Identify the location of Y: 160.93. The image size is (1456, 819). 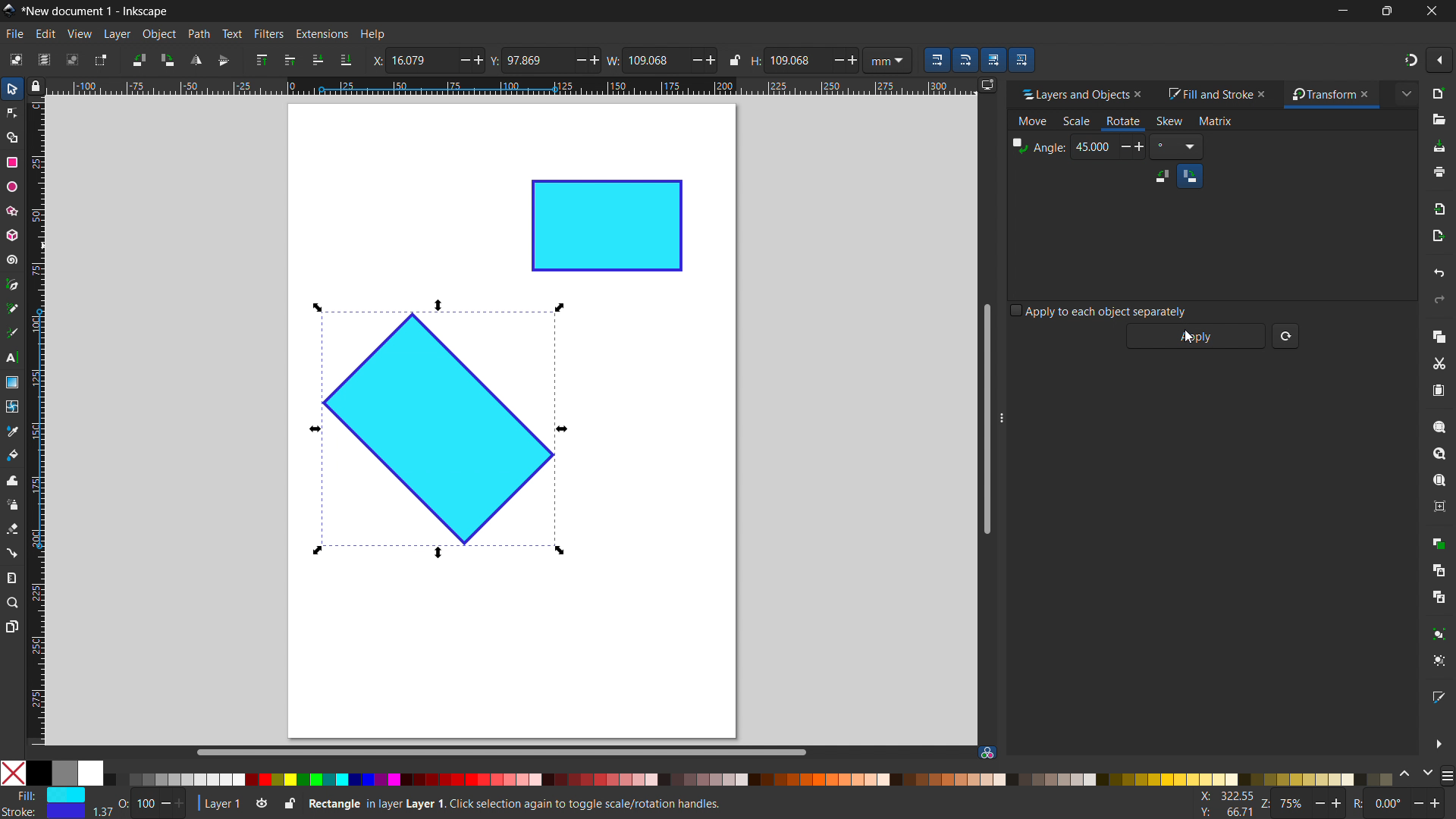
(1221, 813).